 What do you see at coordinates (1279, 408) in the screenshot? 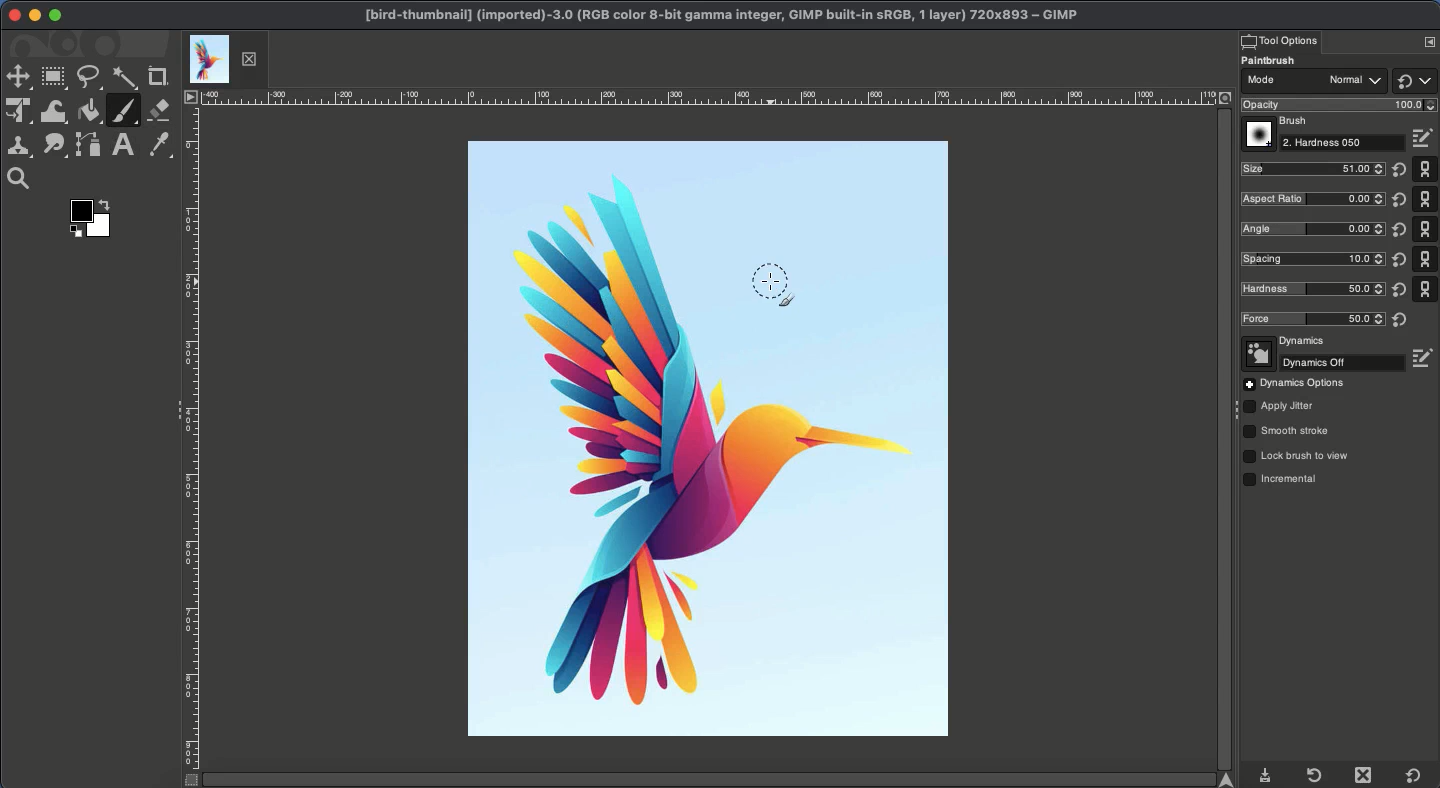
I see `Jitter` at bounding box center [1279, 408].